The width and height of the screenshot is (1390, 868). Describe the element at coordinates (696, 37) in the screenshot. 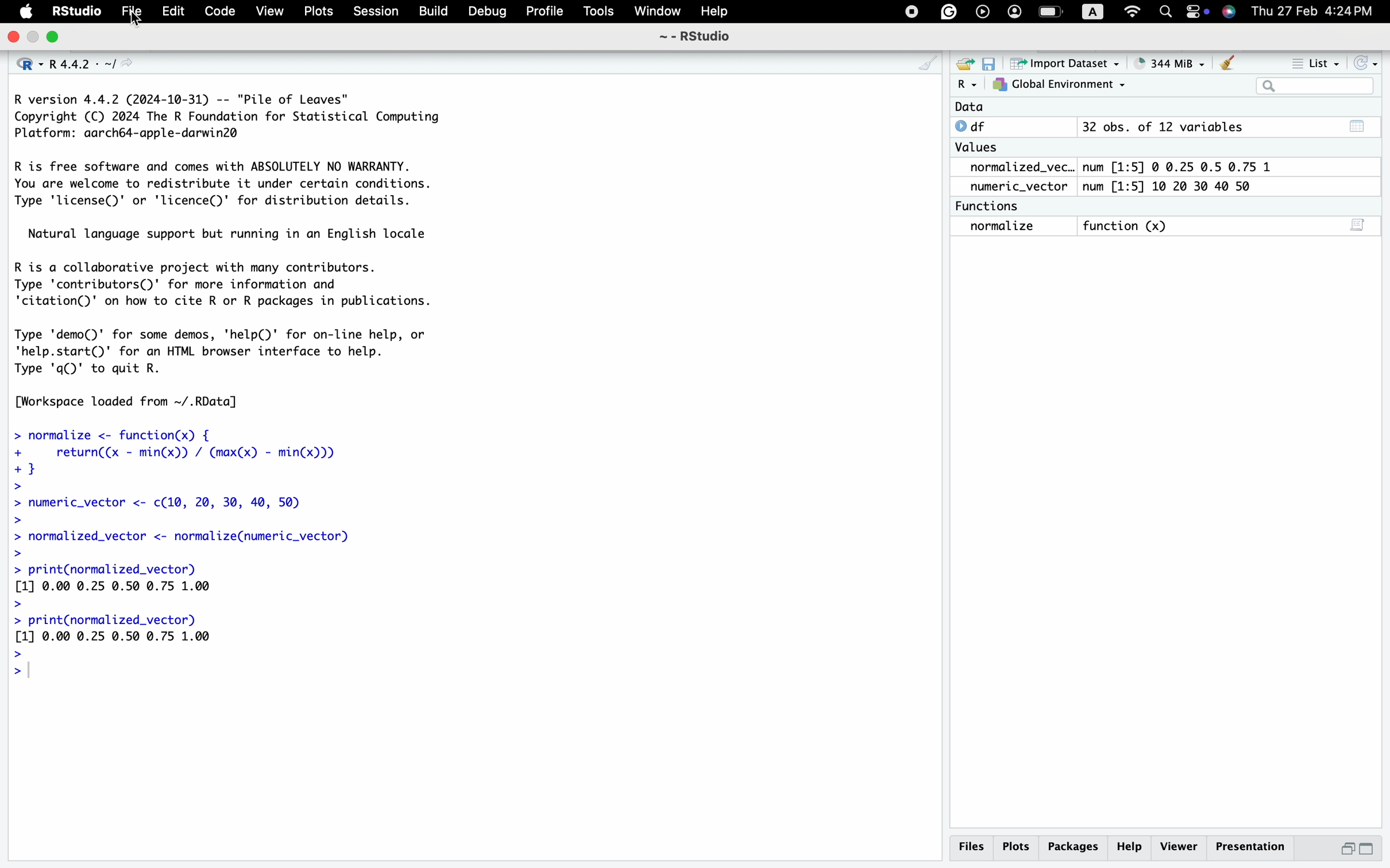

I see `~ - RStudio` at that location.